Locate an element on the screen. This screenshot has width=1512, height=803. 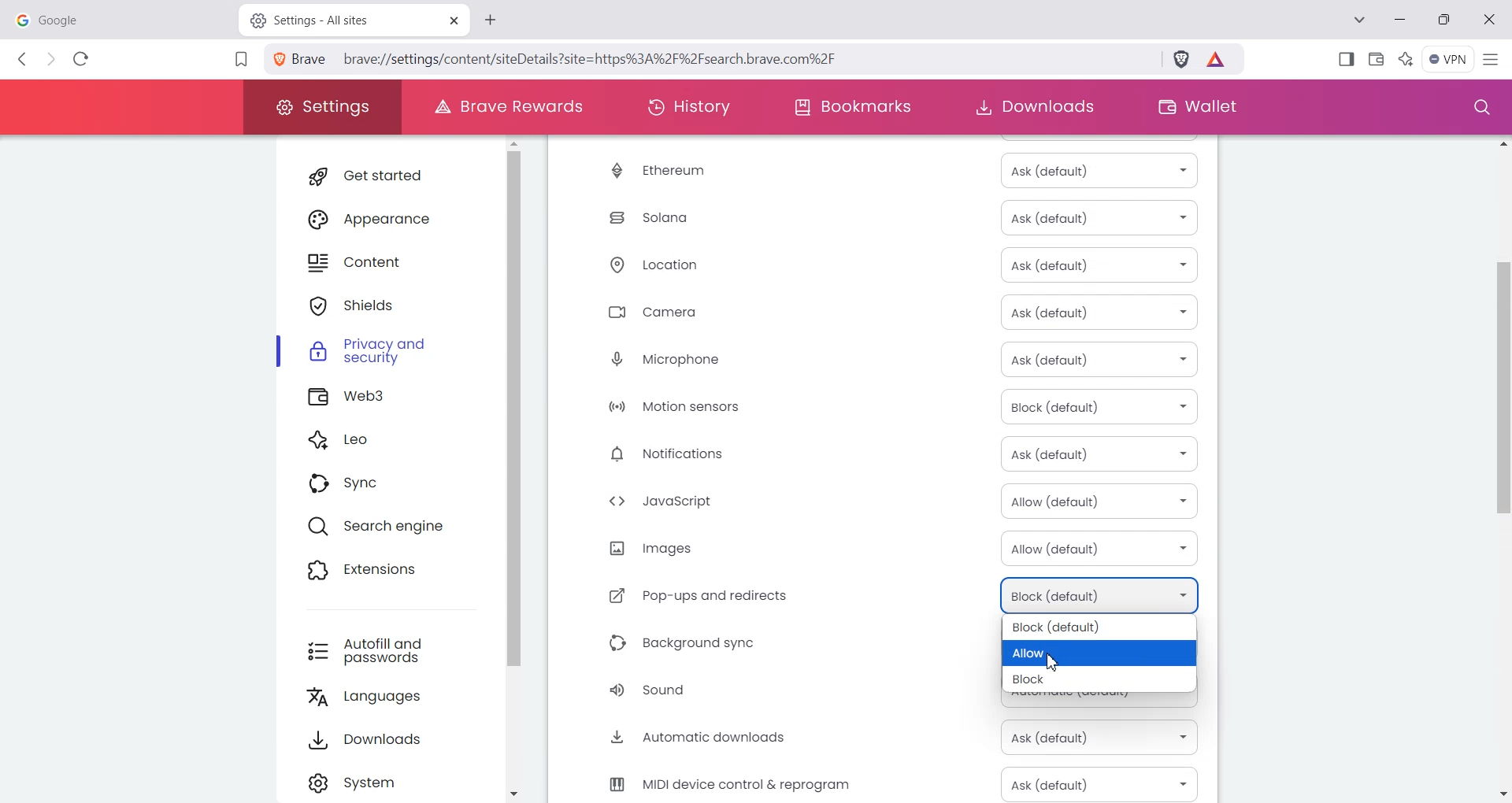
MIDI device control & reprogram Ask (Default) is located at coordinates (886, 783).